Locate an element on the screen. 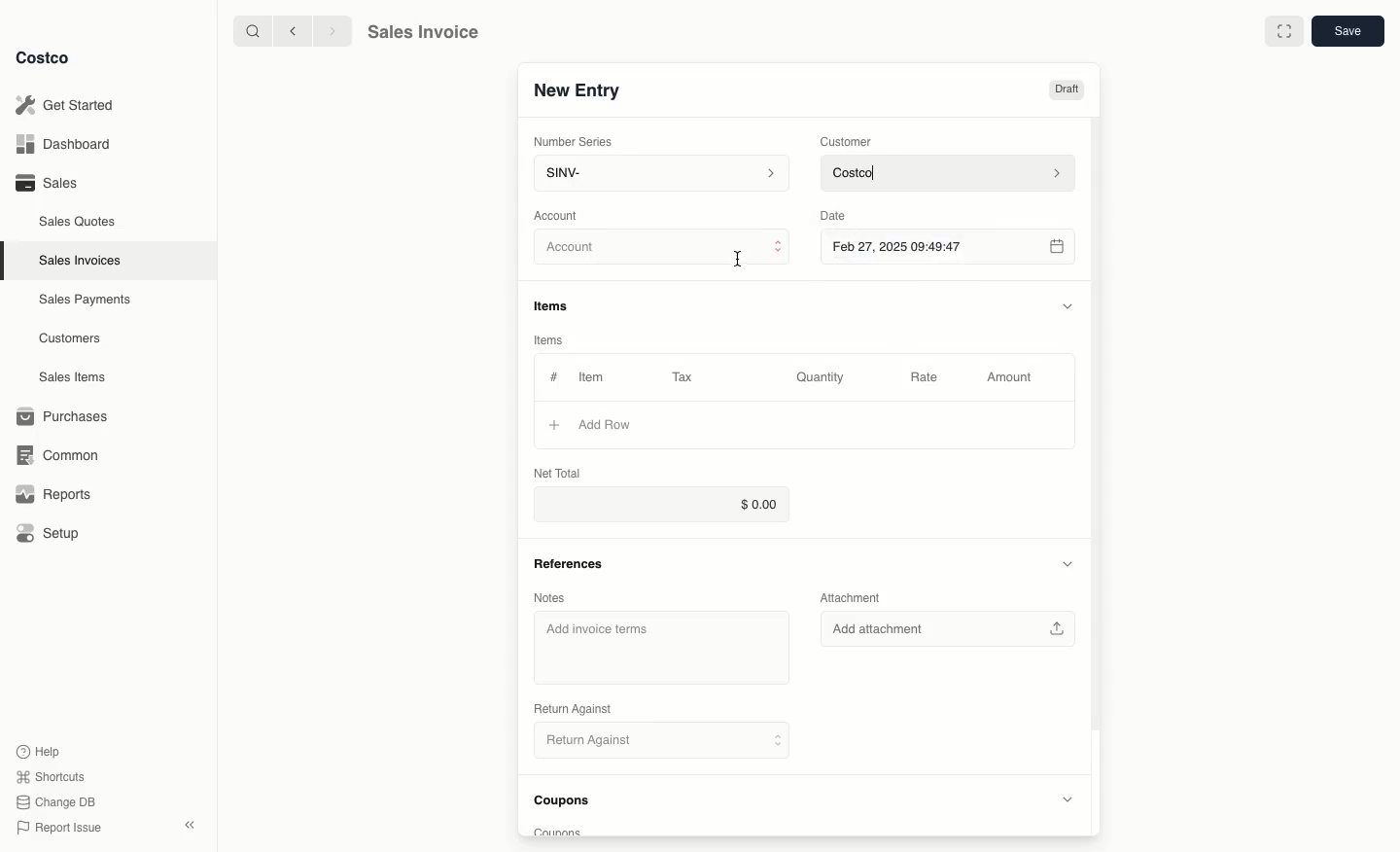 The width and height of the screenshot is (1400, 852). Change DB is located at coordinates (58, 799).